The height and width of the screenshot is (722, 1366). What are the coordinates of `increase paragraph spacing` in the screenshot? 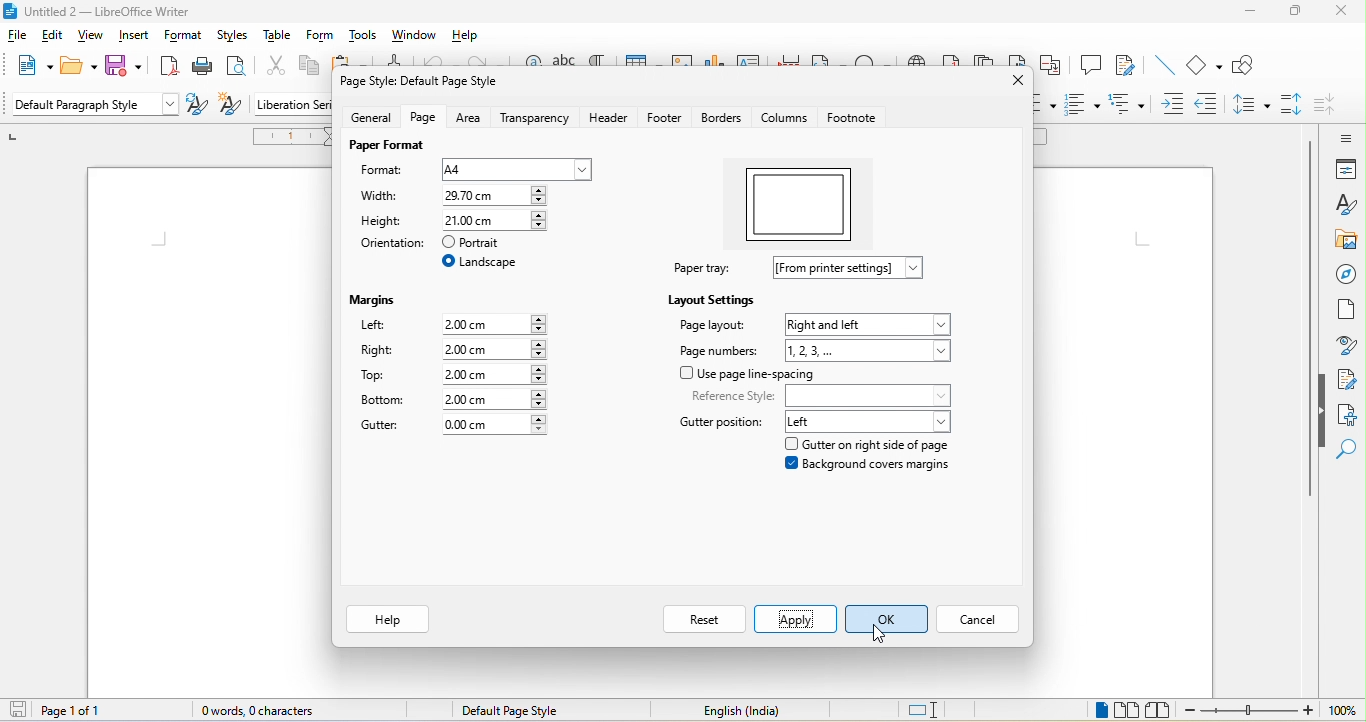 It's located at (1293, 107).